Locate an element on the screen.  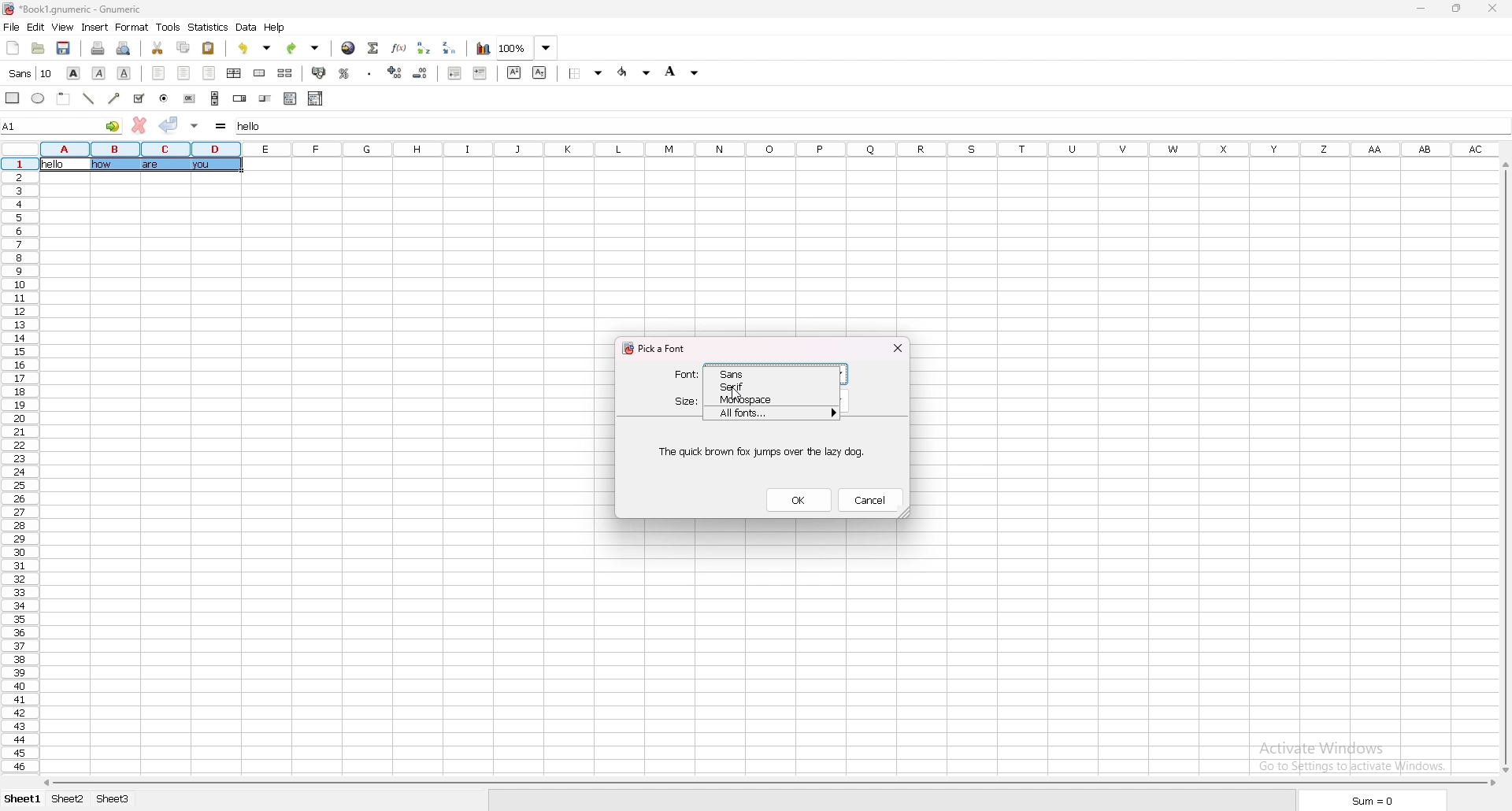
tickbox is located at coordinates (138, 98).